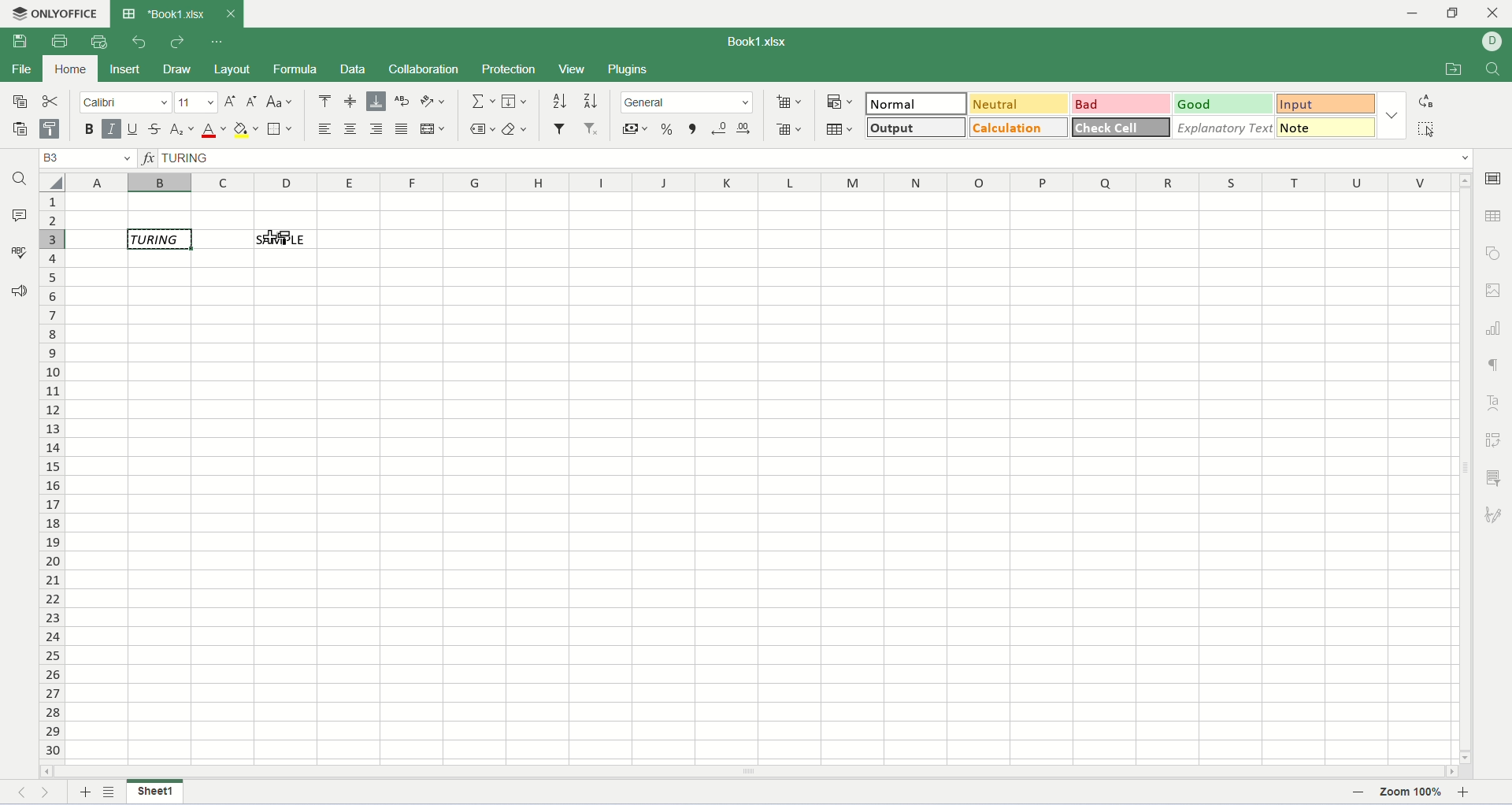 This screenshot has height=805, width=1512. I want to click on clear, so click(515, 129).